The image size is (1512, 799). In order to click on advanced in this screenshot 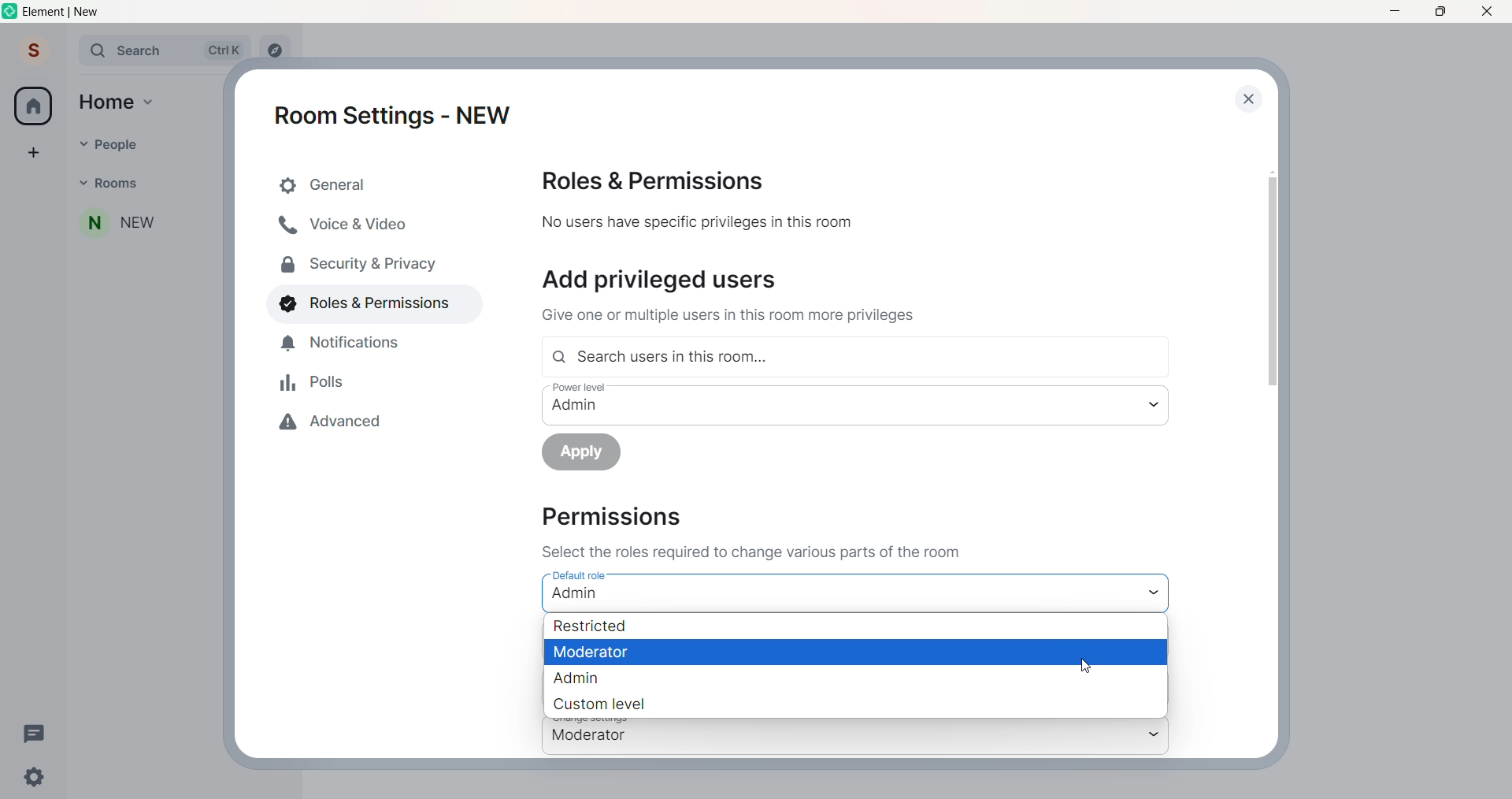, I will do `click(339, 425)`.